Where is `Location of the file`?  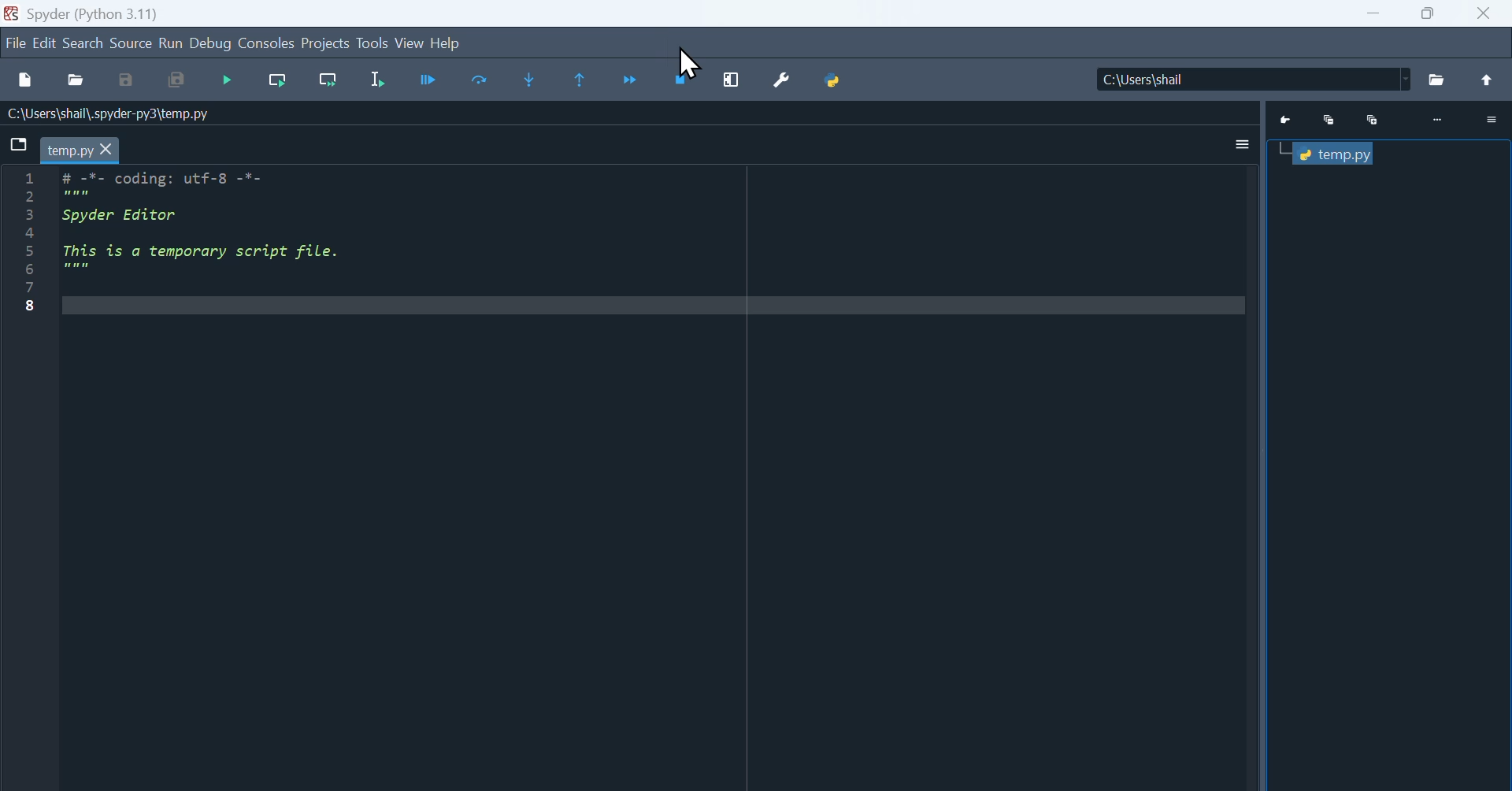
Location of the file is located at coordinates (1258, 79).